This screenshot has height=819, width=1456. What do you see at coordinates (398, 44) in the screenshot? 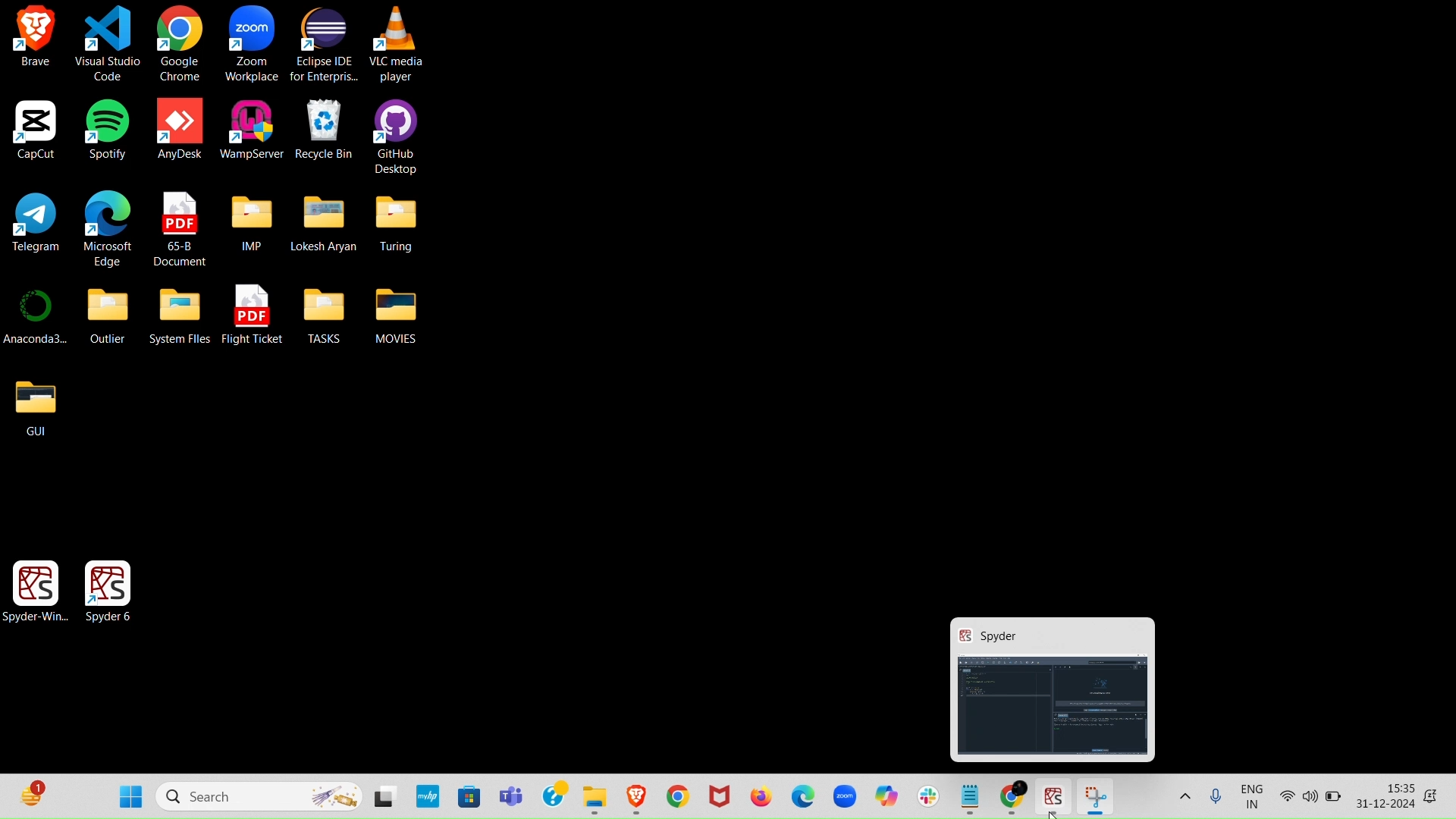
I see `VLC media player` at bounding box center [398, 44].